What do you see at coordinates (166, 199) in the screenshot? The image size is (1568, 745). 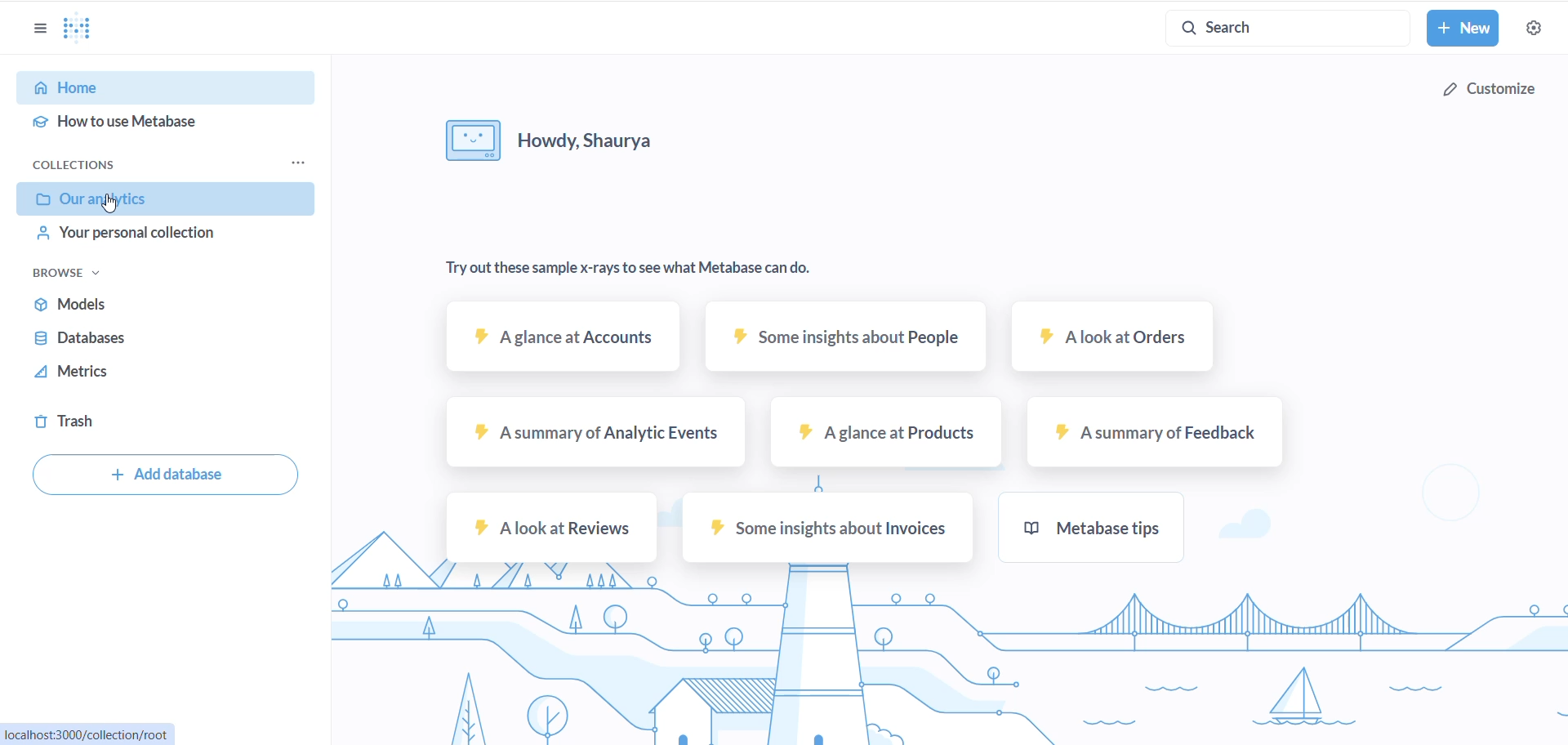 I see `our analytics` at bounding box center [166, 199].